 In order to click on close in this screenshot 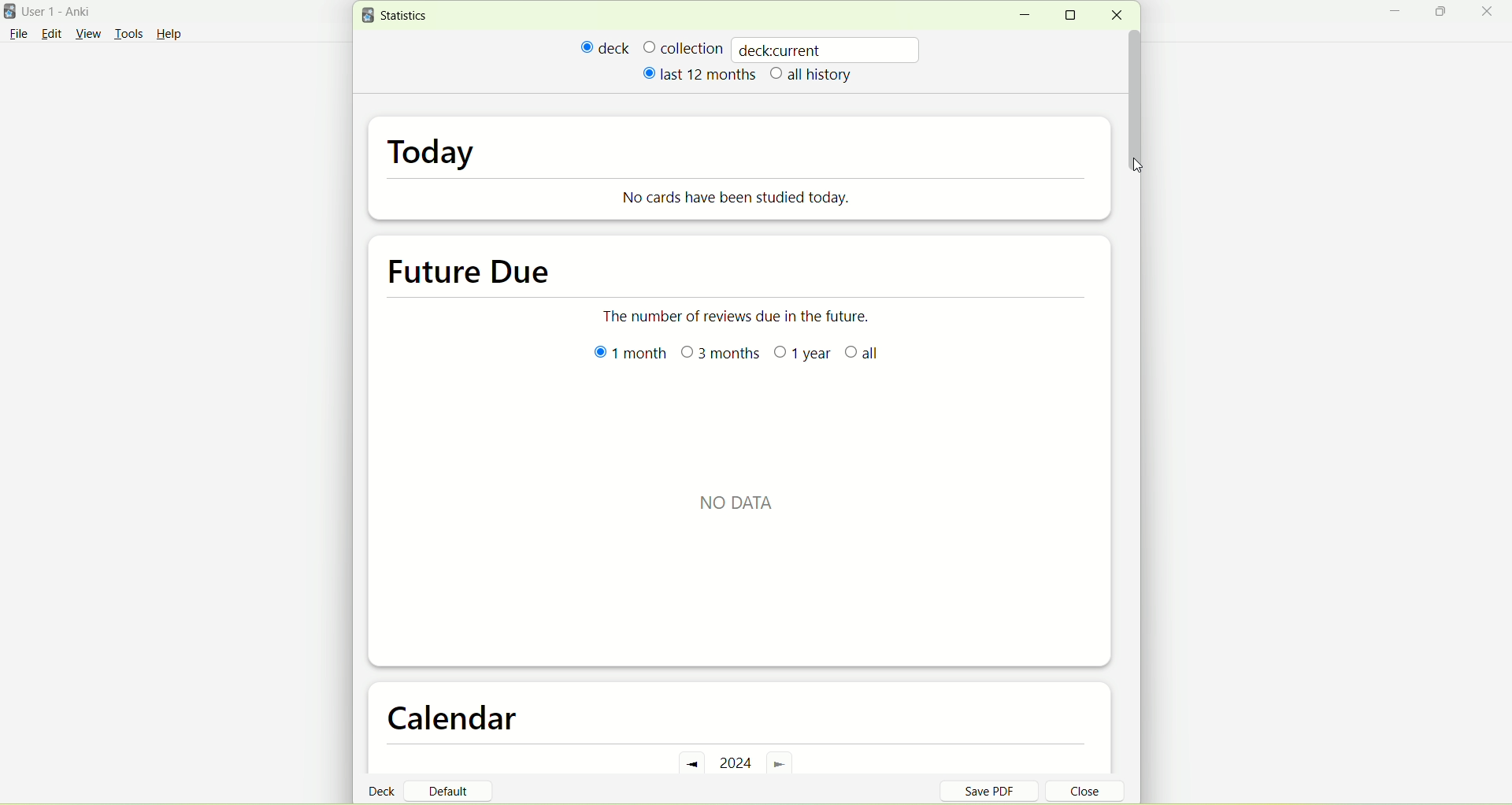, I will do `click(1116, 16)`.